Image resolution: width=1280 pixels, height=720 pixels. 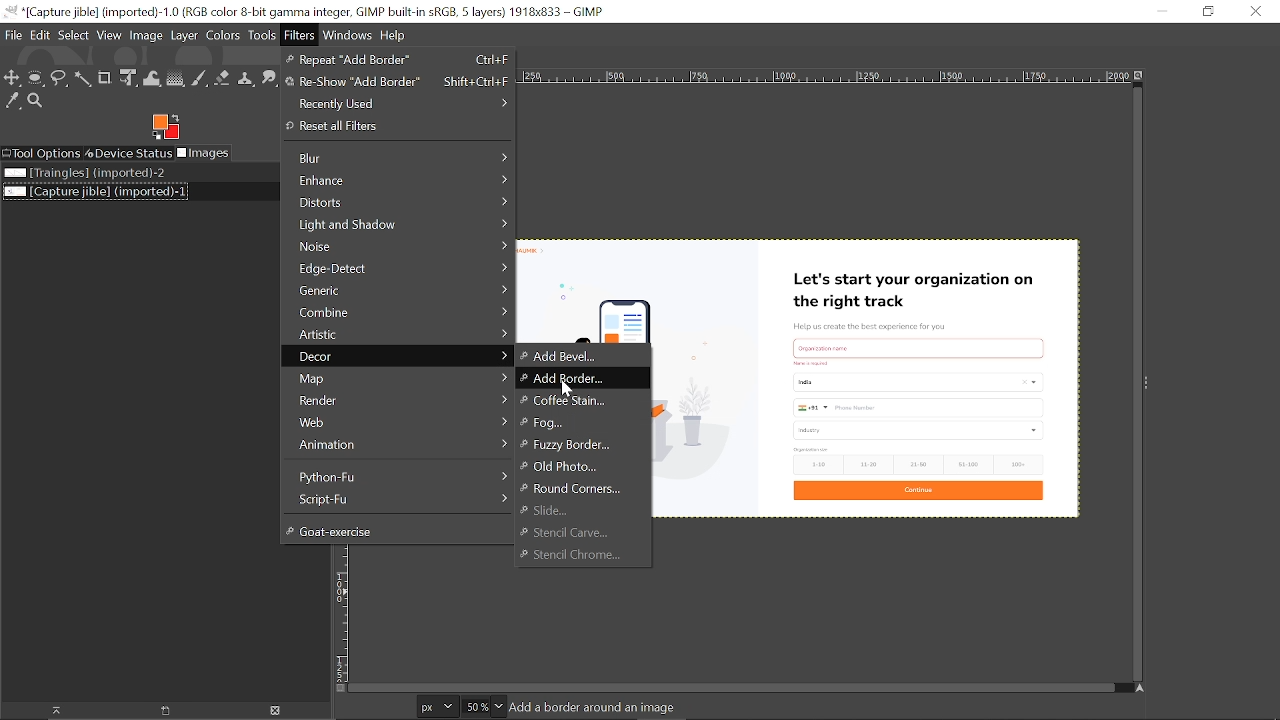 I want to click on Raise the image display, so click(x=166, y=711).